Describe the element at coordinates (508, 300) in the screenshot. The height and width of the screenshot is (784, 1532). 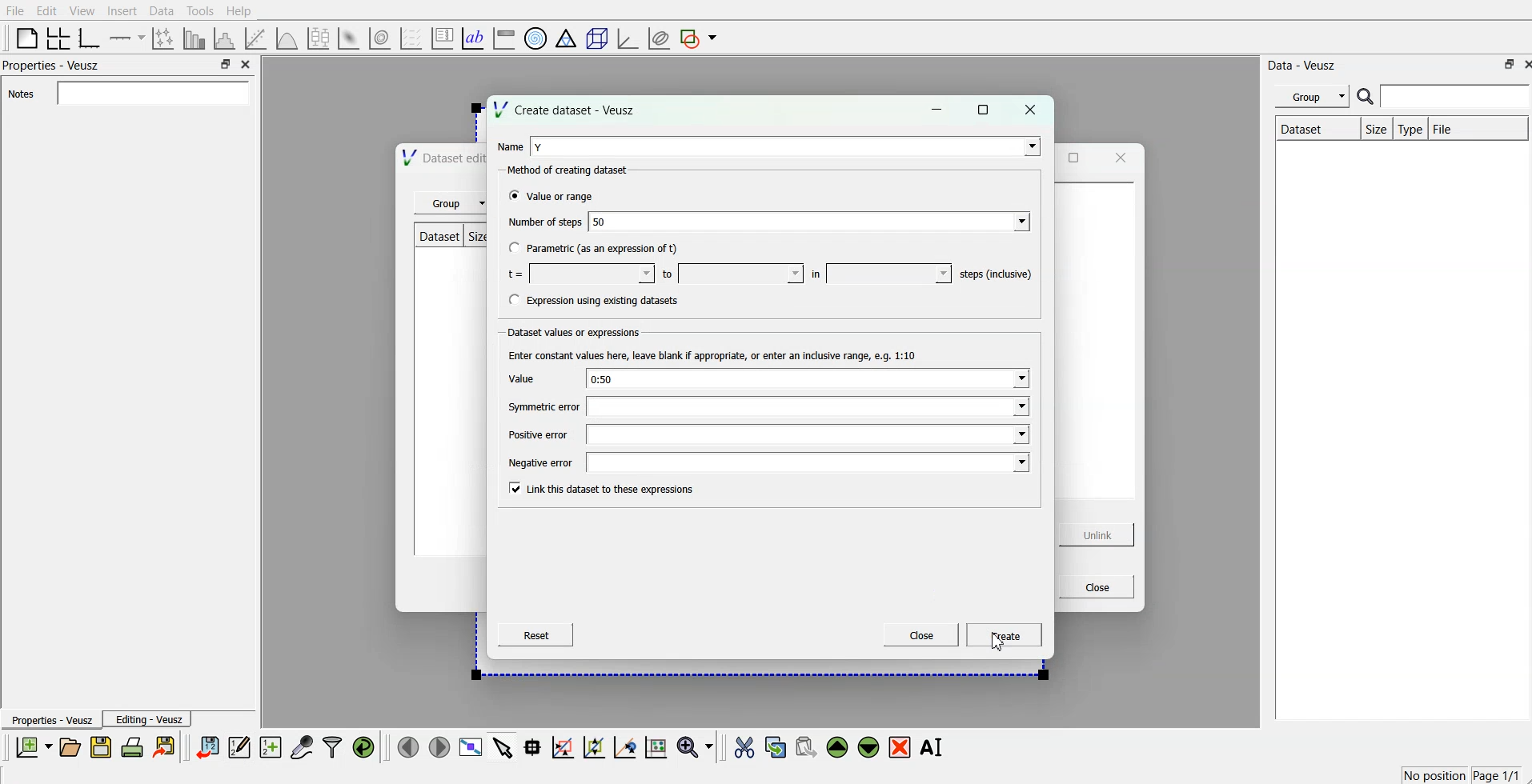
I see `checkbox` at that location.